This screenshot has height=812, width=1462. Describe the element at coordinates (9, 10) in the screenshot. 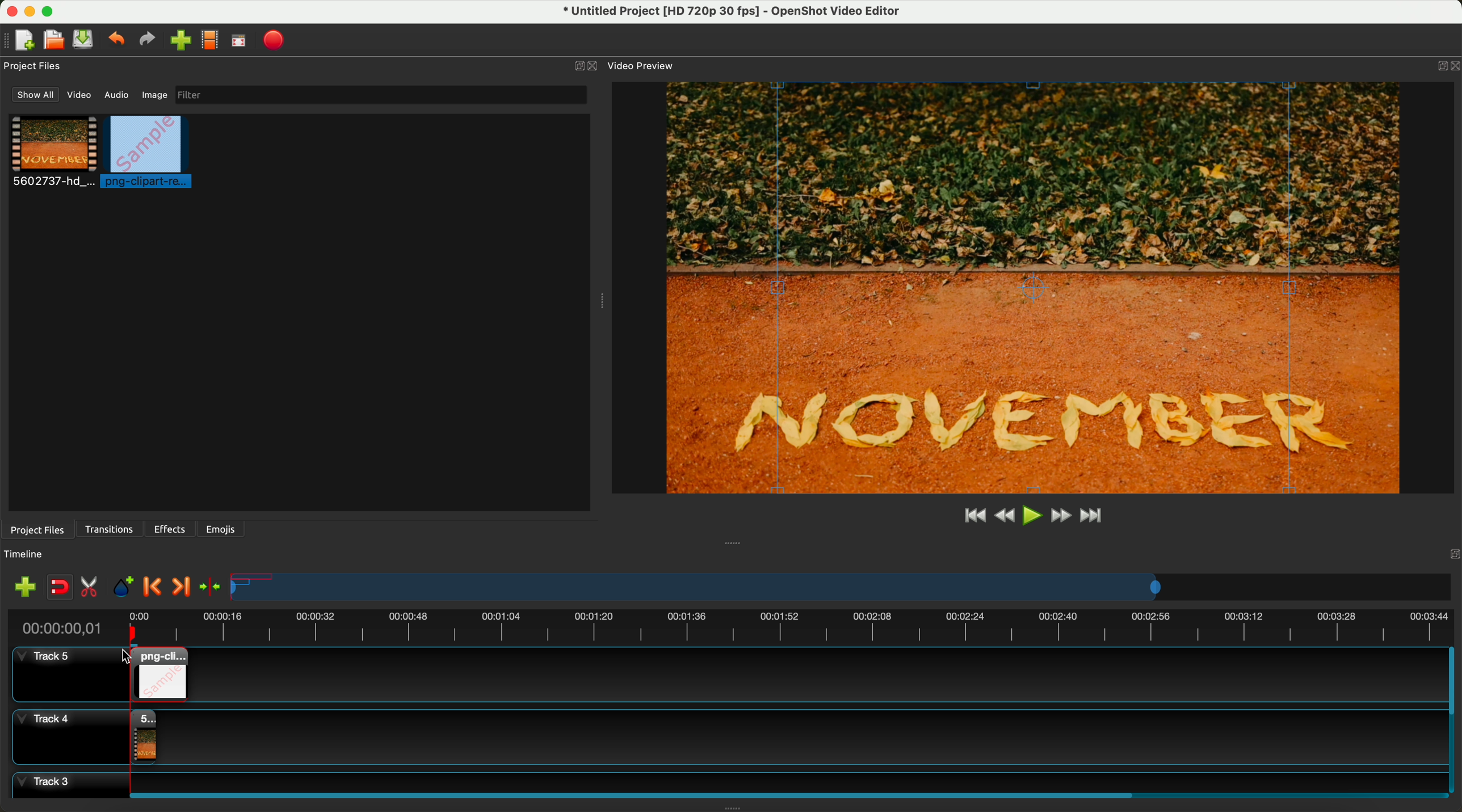

I see `close program` at that location.